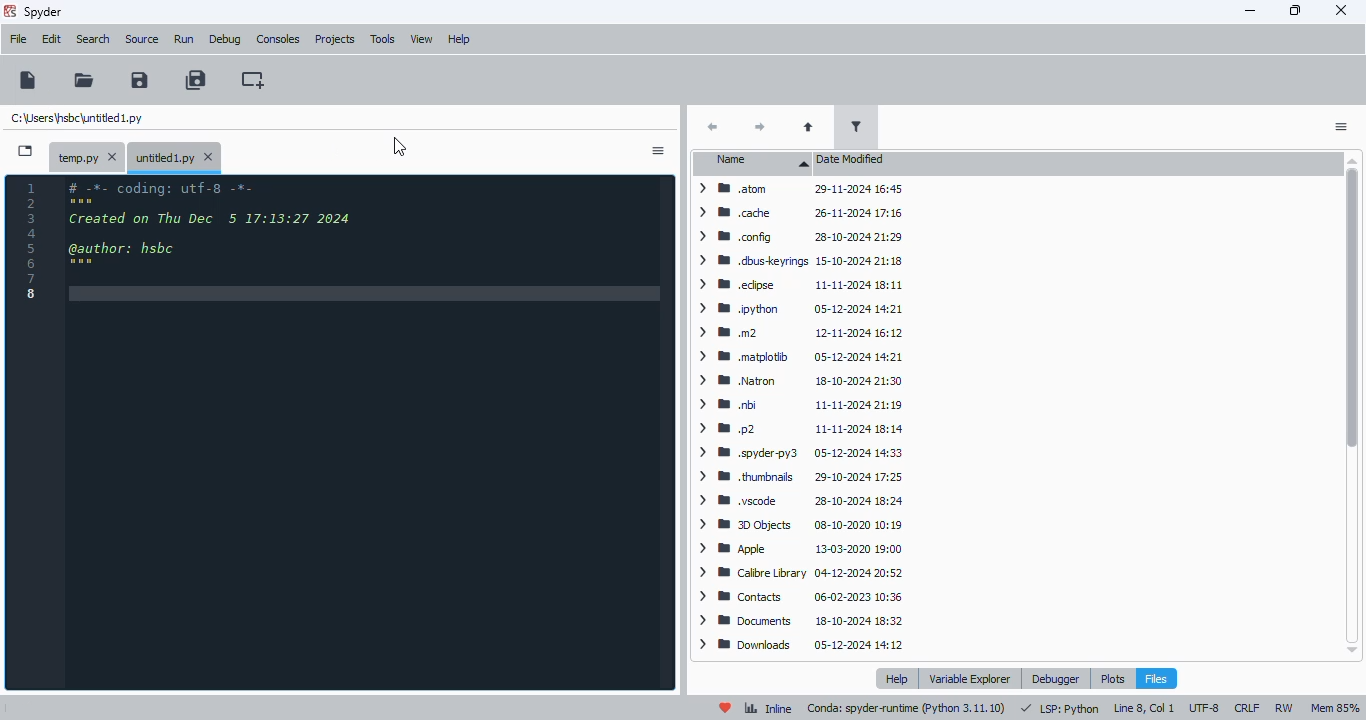 The height and width of the screenshot is (720, 1366). What do you see at coordinates (78, 119) in the screenshot?
I see `untitled1.py` at bounding box center [78, 119].